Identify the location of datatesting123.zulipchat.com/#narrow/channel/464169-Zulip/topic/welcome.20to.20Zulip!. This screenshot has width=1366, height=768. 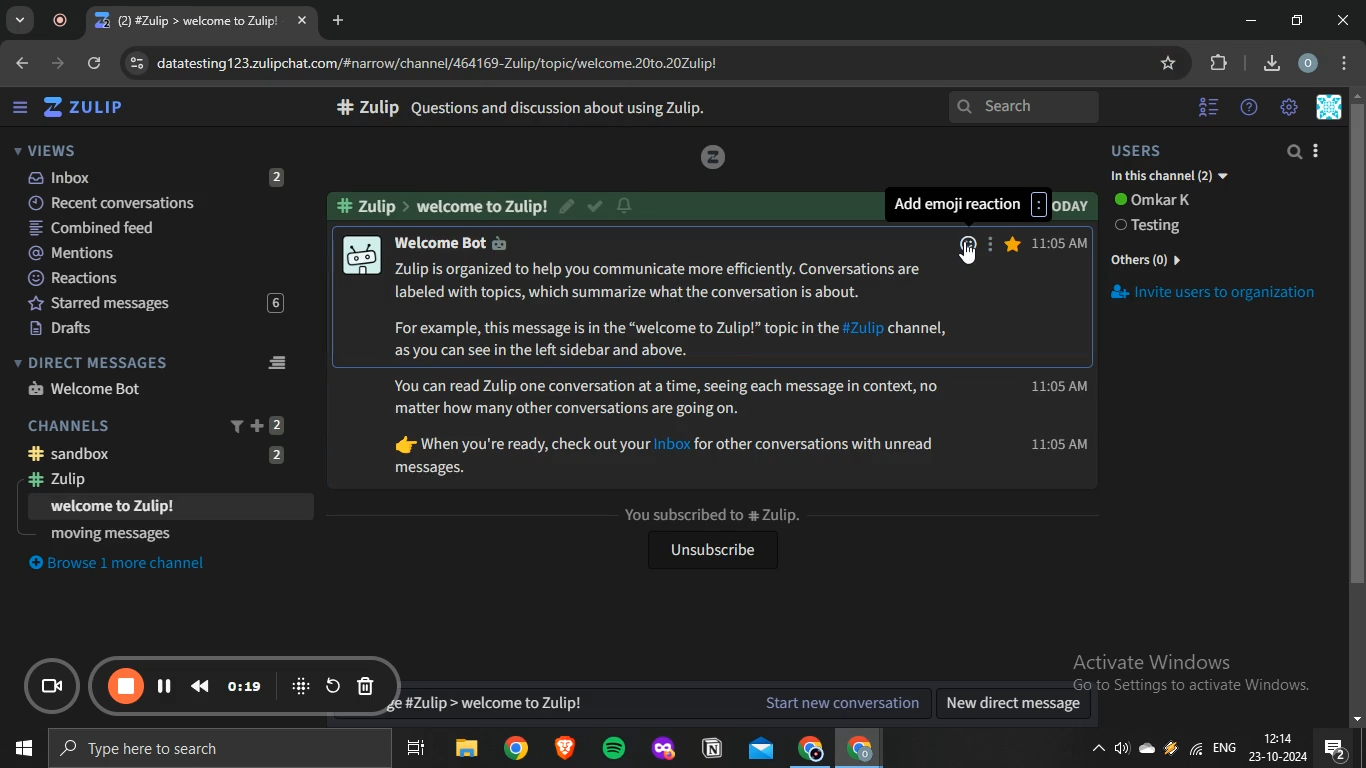
(429, 61).